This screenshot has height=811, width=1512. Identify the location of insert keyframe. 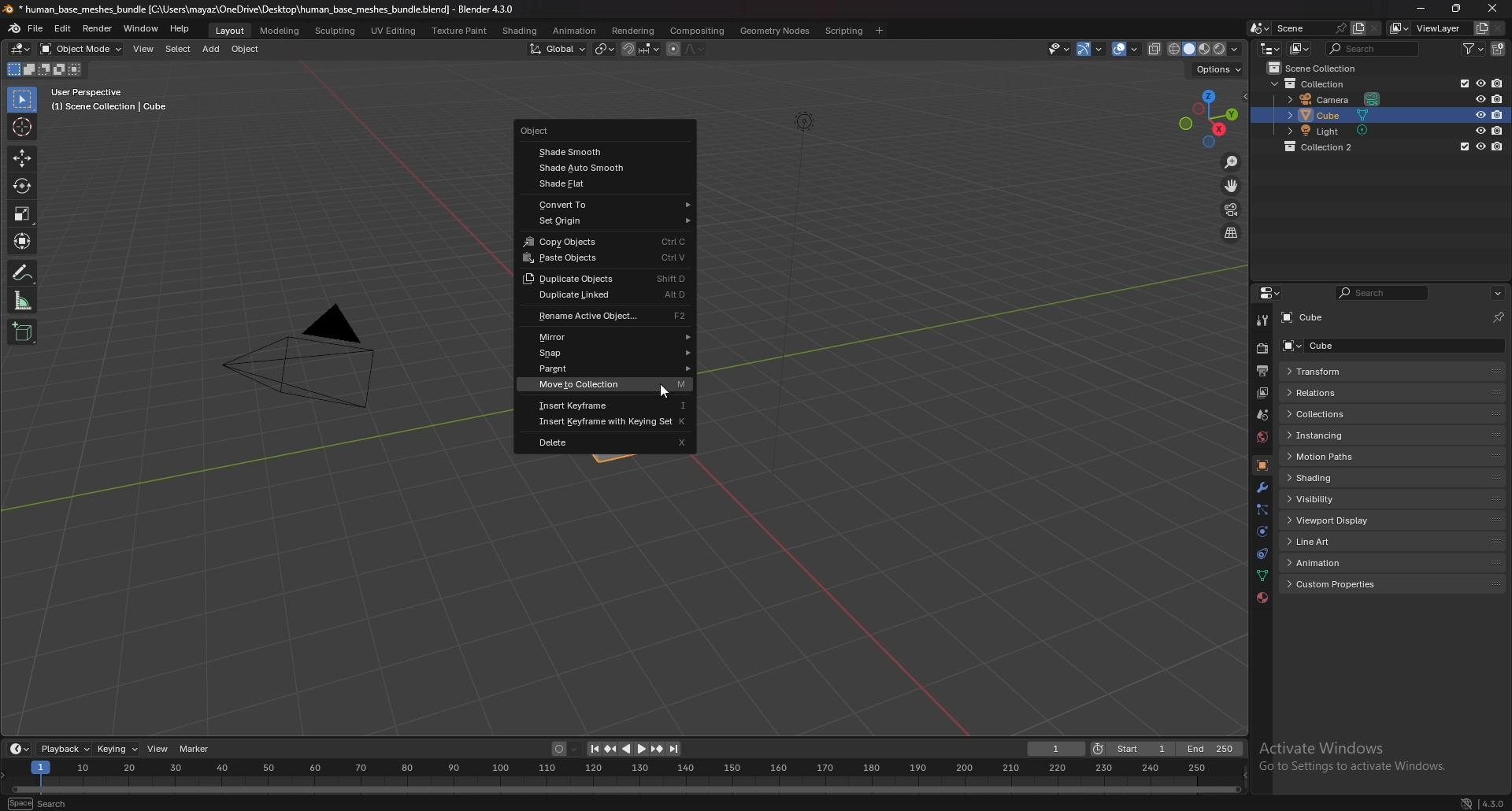
(607, 405).